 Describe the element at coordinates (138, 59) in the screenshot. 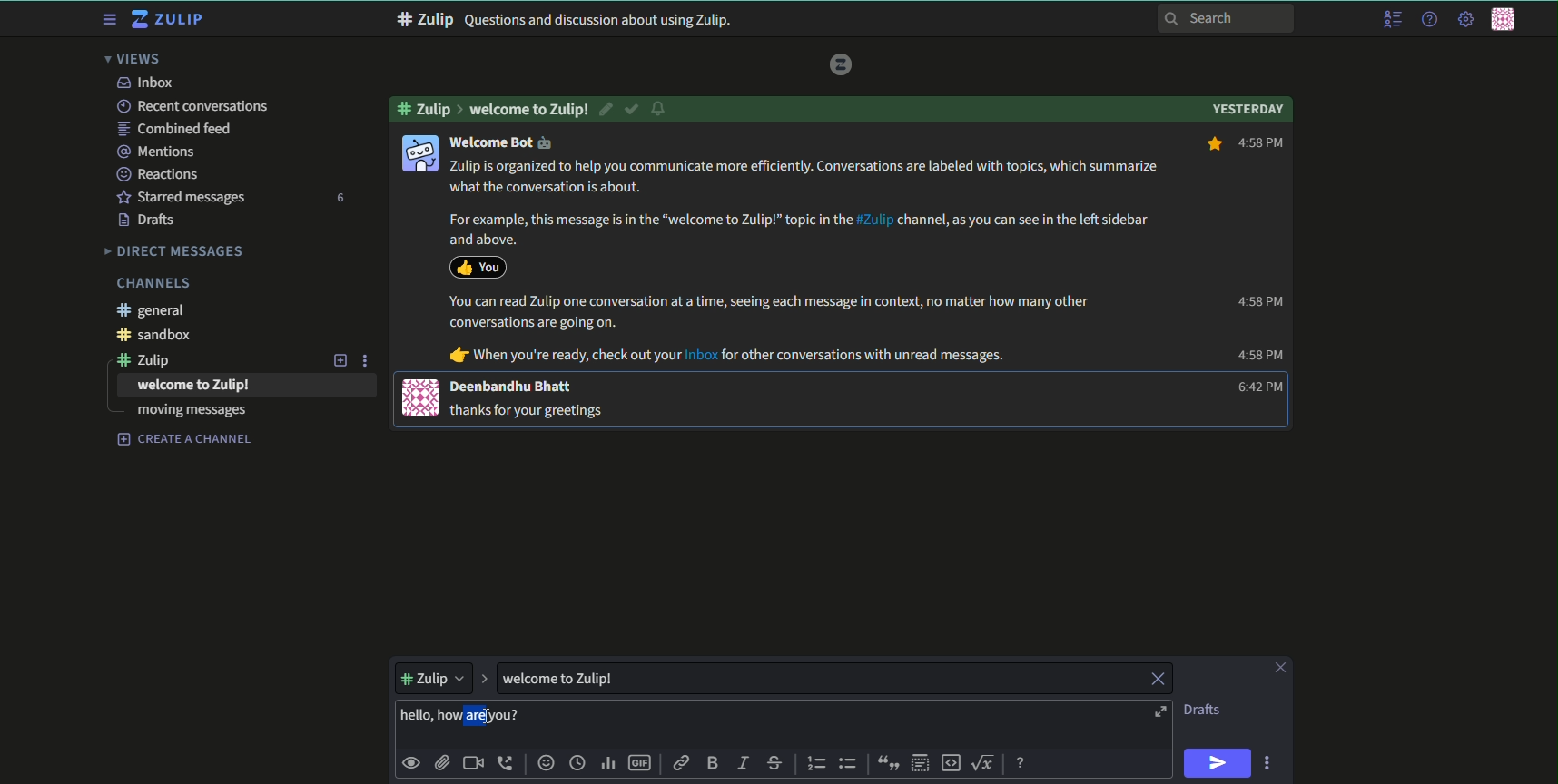

I see `views` at that location.